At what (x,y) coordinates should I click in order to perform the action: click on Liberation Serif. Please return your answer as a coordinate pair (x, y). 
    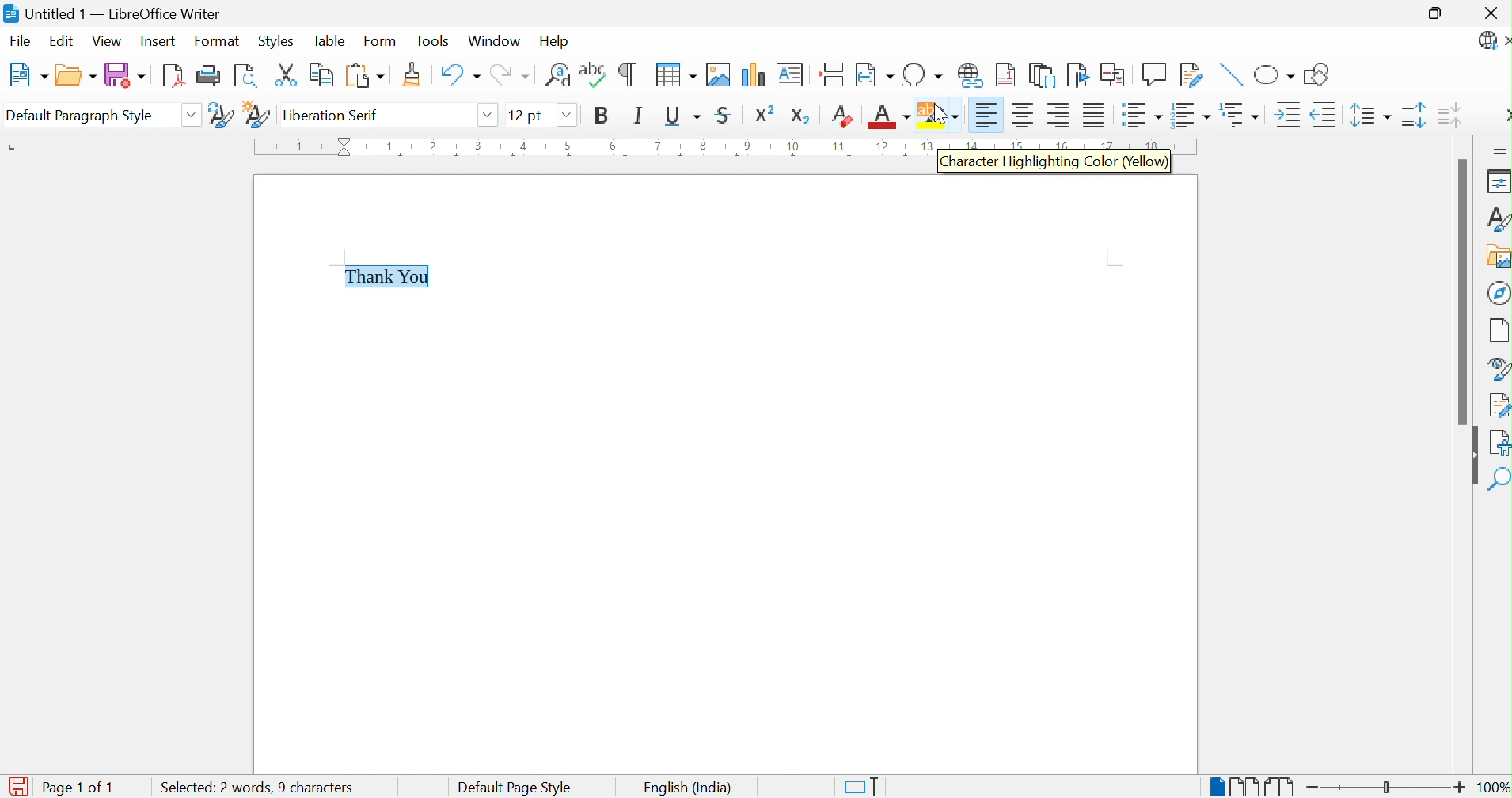
    Looking at the image, I should click on (332, 116).